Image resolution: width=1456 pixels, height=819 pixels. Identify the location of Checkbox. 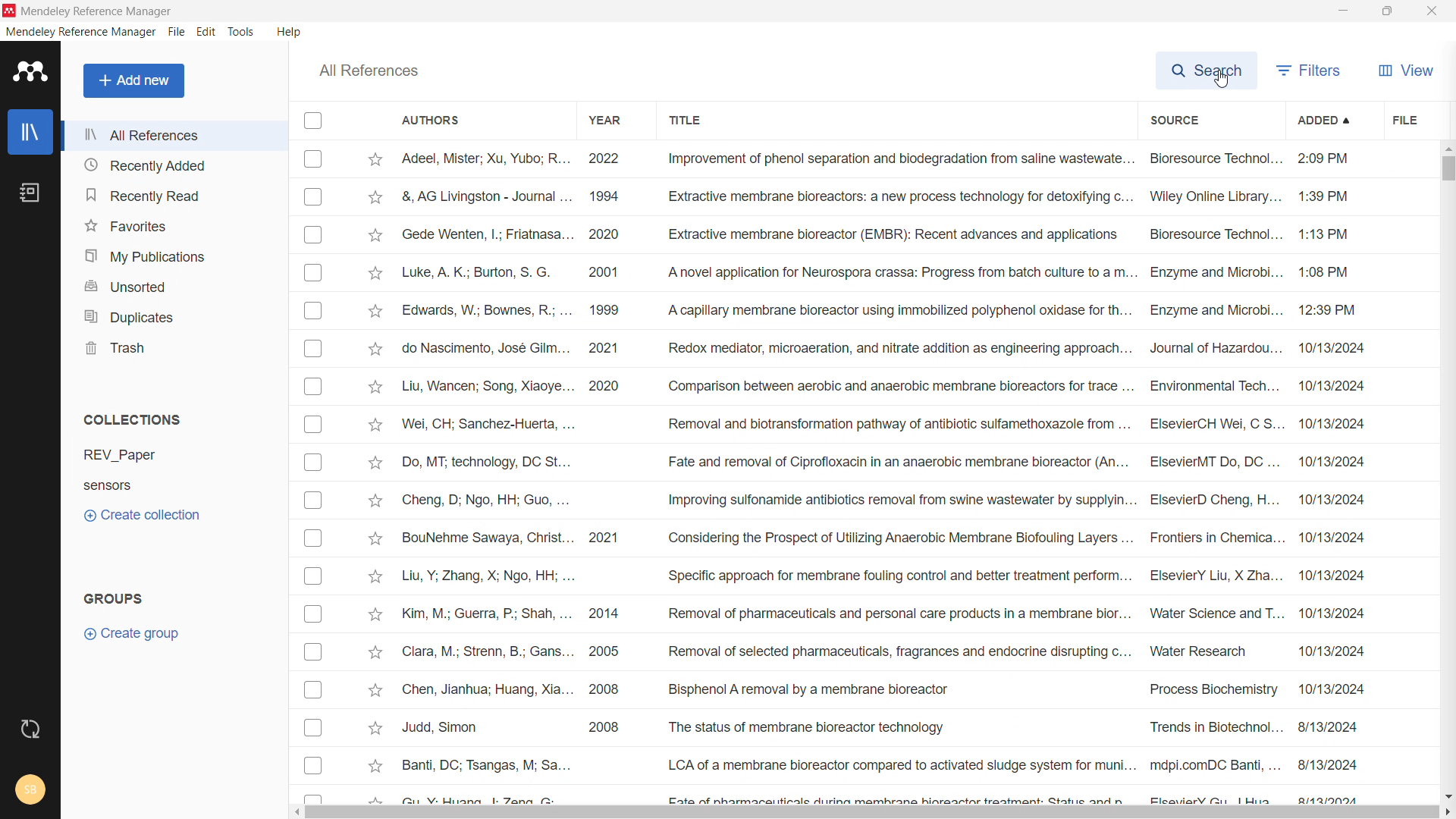
(315, 159).